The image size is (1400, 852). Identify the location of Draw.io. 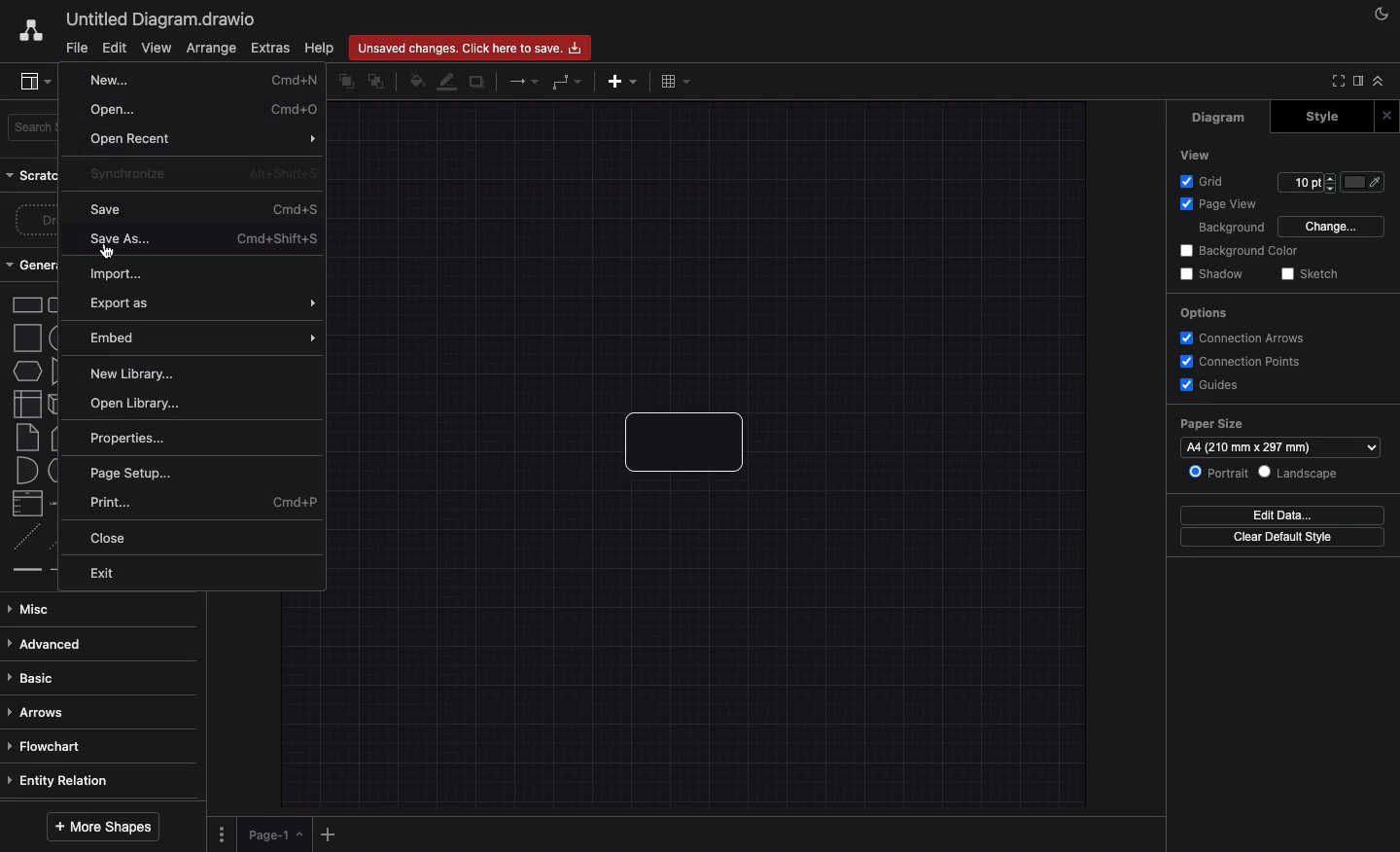
(25, 34).